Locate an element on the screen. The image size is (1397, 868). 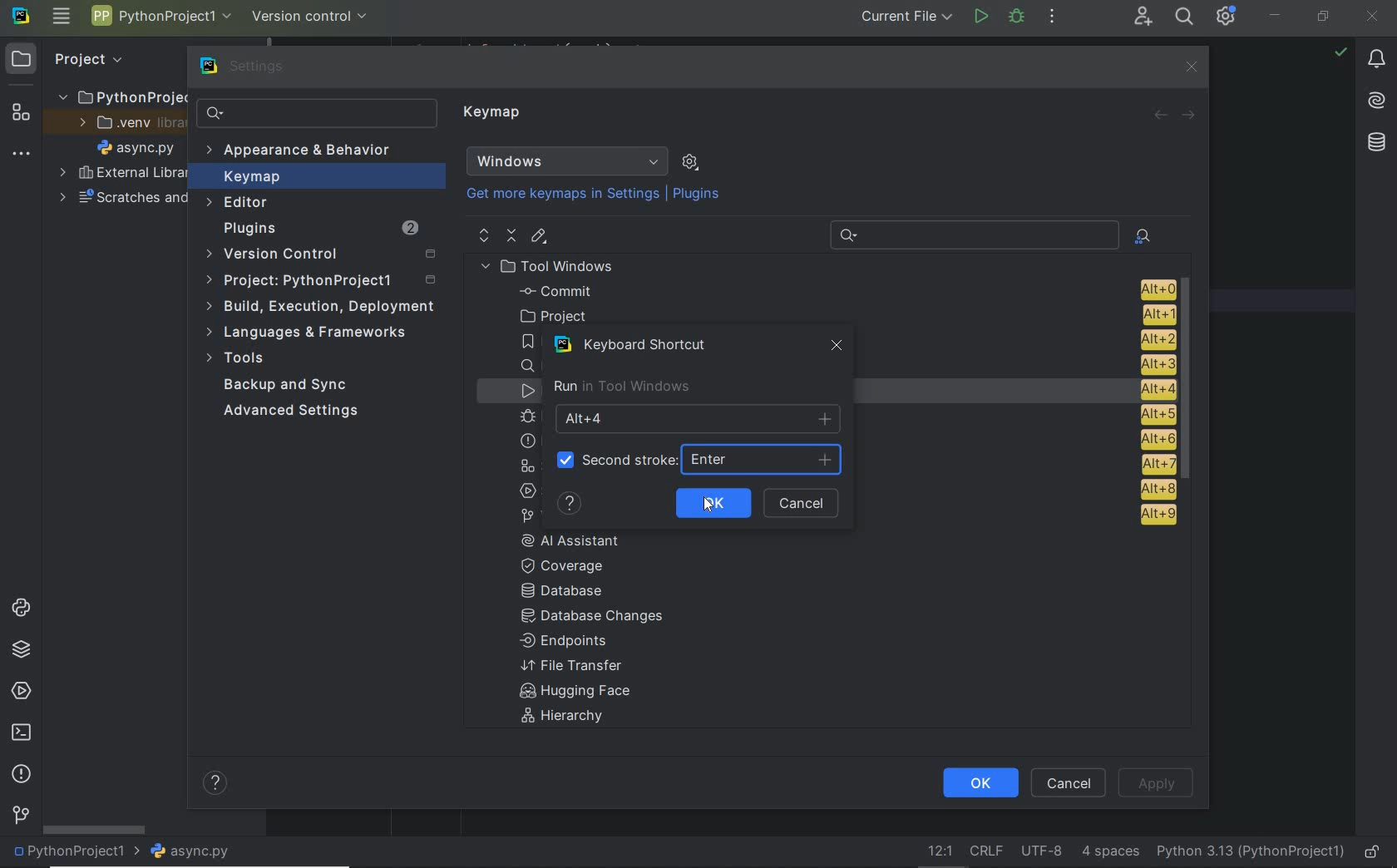
services is located at coordinates (18, 692).